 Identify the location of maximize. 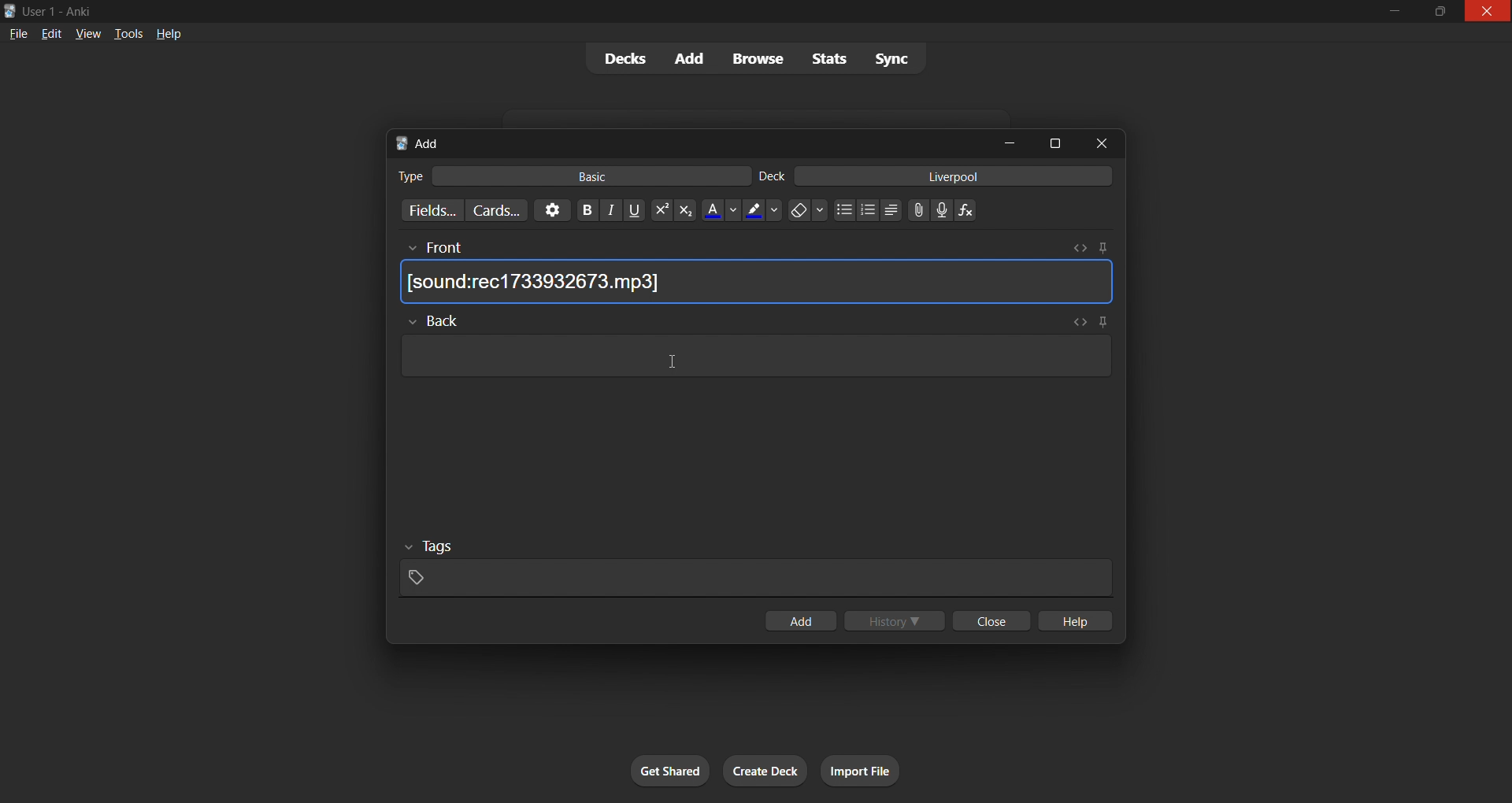
(1052, 140).